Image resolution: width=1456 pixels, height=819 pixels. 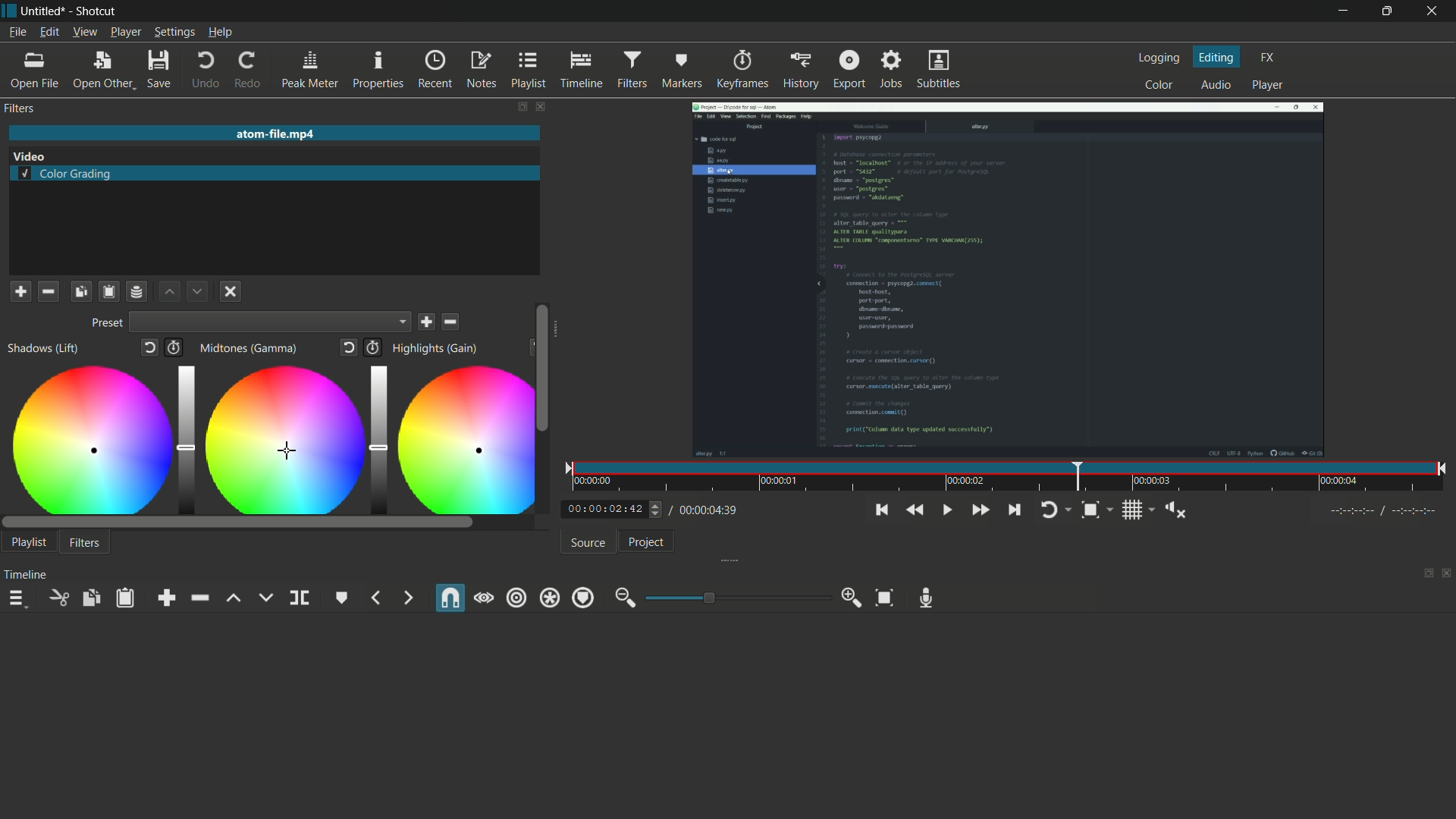 What do you see at coordinates (102, 72) in the screenshot?
I see `open other` at bounding box center [102, 72].